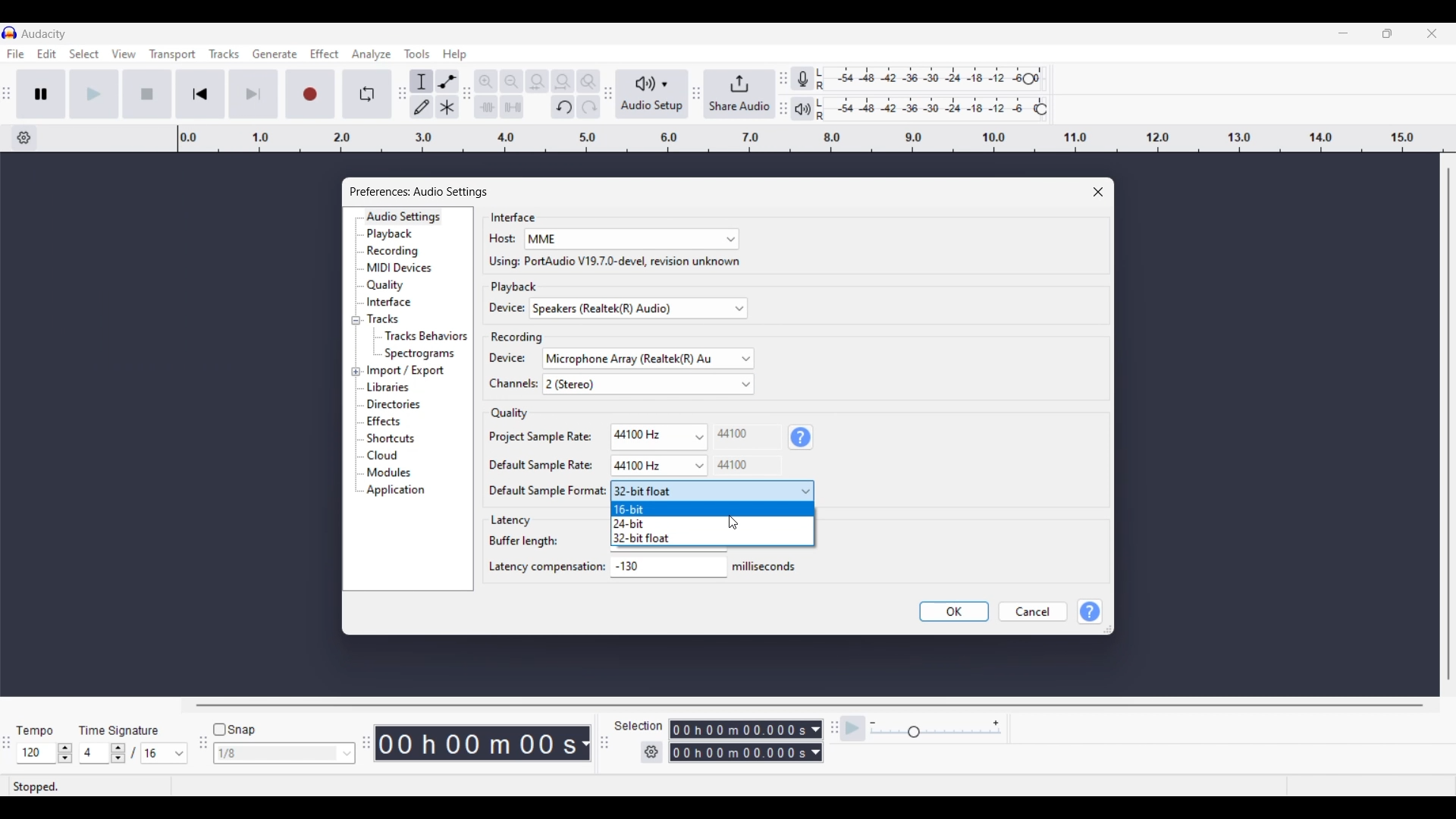 This screenshot has width=1456, height=819. Describe the element at coordinates (403, 234) in the screenshot. I see `Playback` at that location.